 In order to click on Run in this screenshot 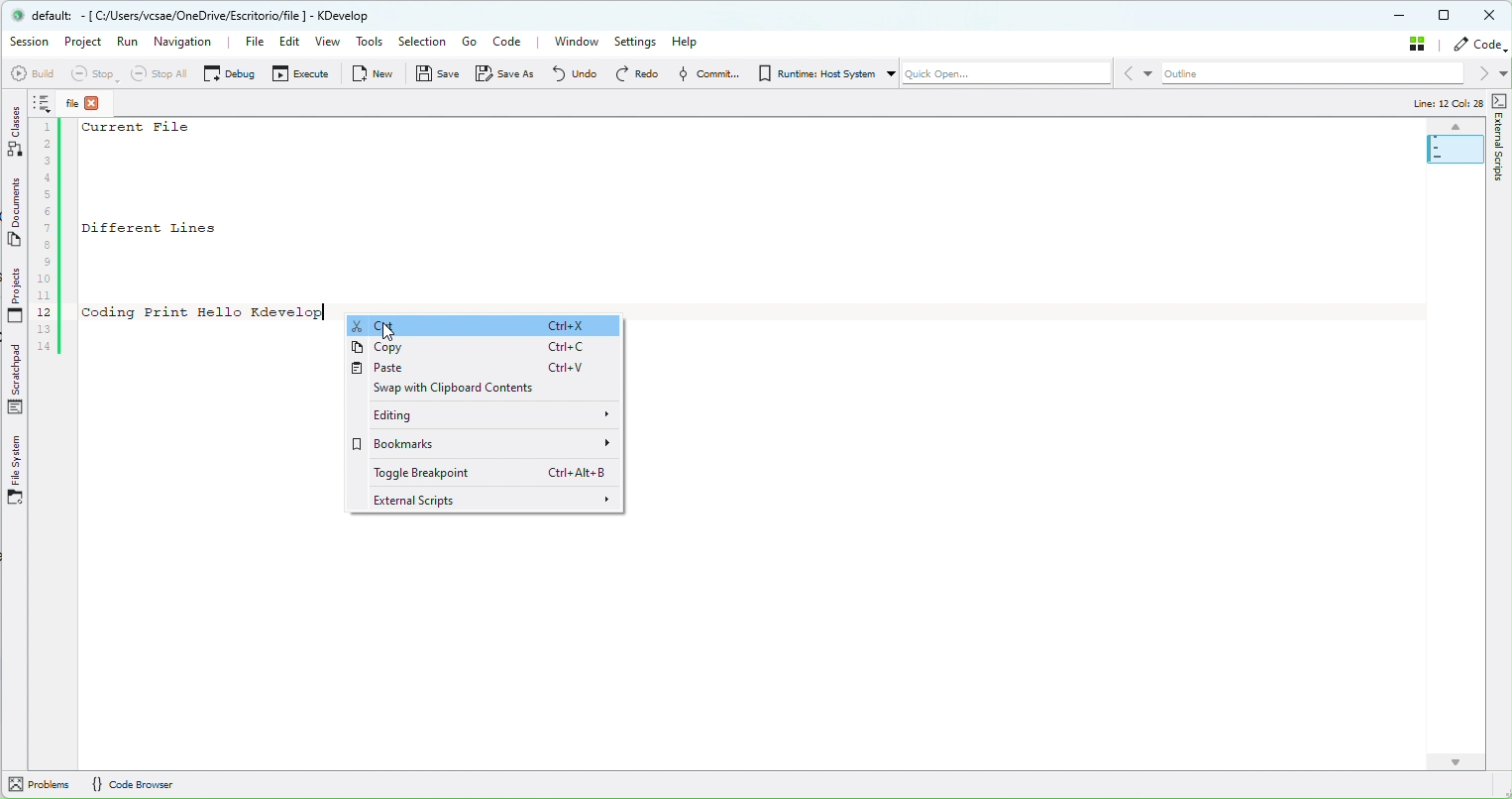, I will do `click(132, 42)`.